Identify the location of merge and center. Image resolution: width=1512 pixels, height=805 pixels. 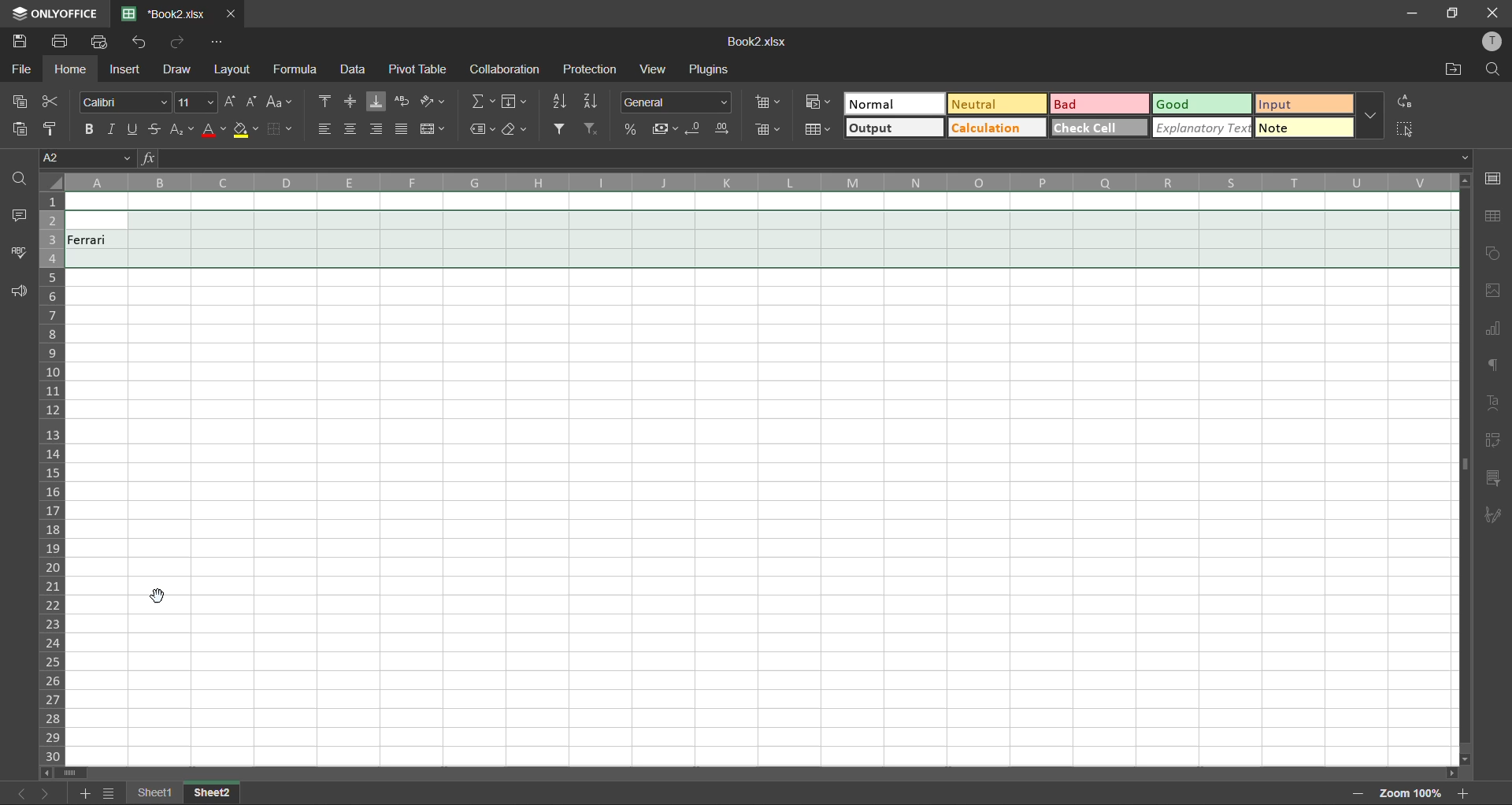
(434, 129).